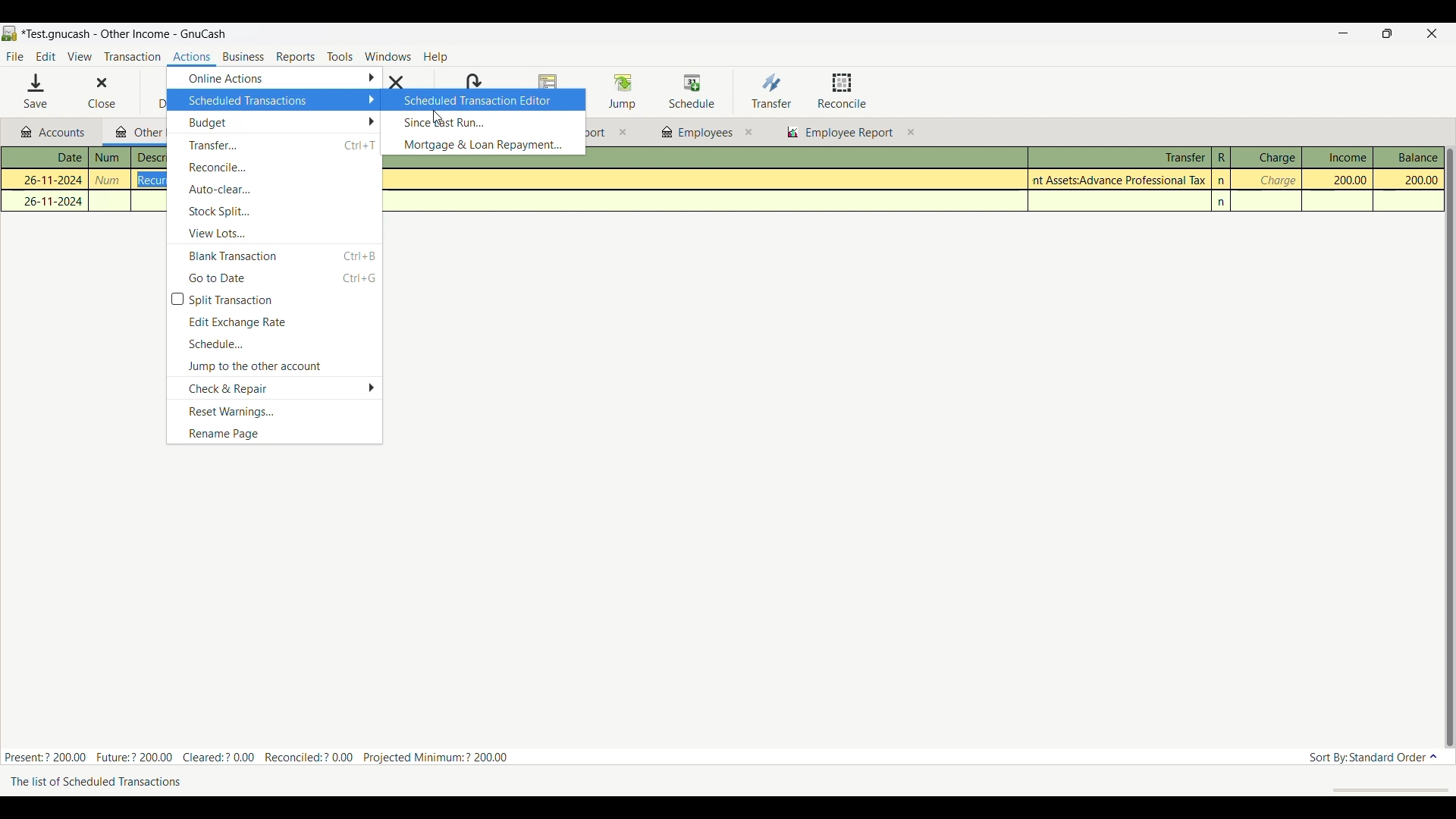 The image size is (1456, 819). What do you see at coordinates (53, 158) in the screenshot?
I see `Date` at bounding box center [53, 158].